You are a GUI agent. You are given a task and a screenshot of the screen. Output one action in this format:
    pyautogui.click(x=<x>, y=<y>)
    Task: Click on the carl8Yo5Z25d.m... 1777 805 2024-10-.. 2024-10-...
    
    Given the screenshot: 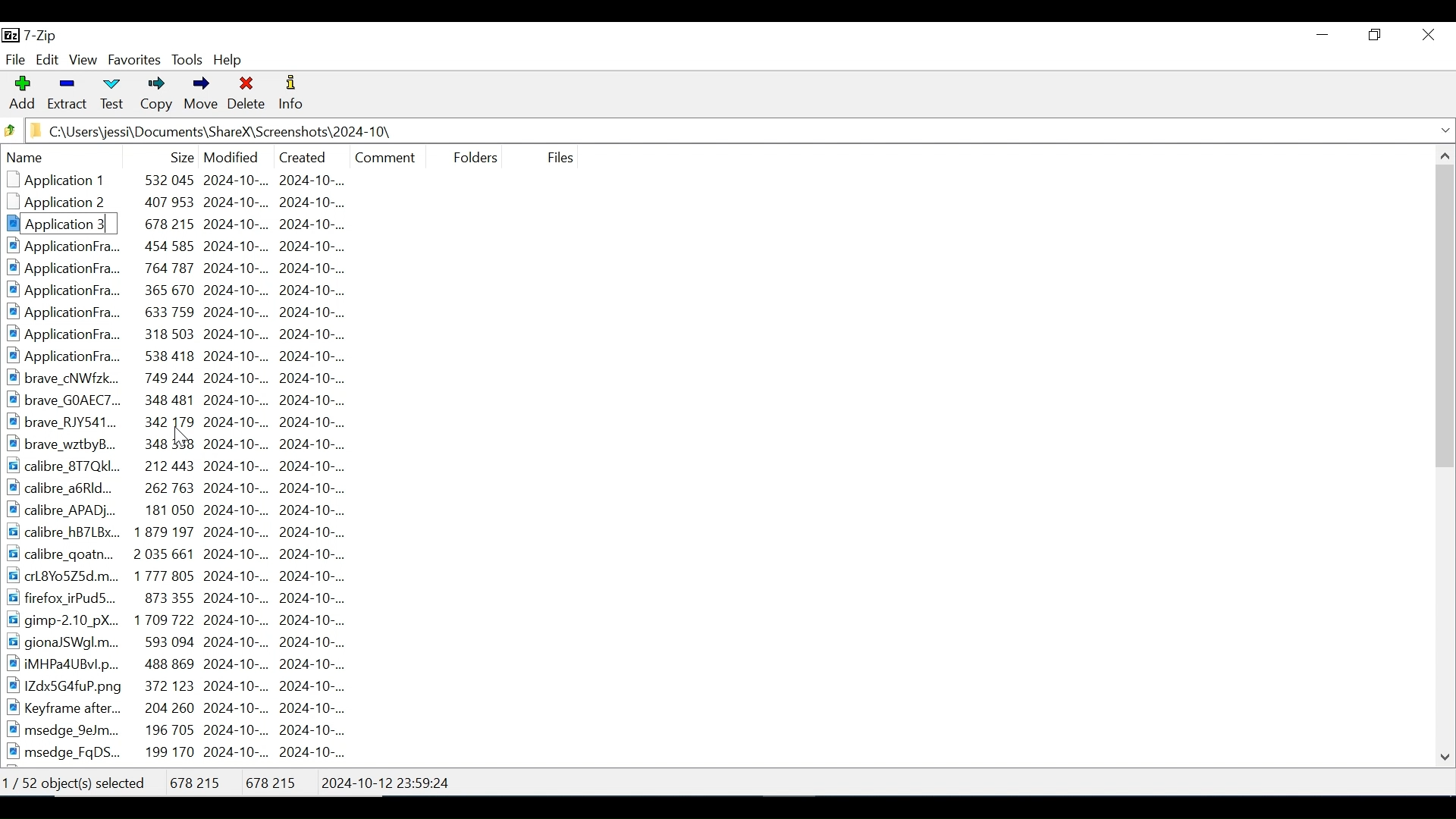 What is the action you would take?
    pyautogui.click(x=187, y=575)
    